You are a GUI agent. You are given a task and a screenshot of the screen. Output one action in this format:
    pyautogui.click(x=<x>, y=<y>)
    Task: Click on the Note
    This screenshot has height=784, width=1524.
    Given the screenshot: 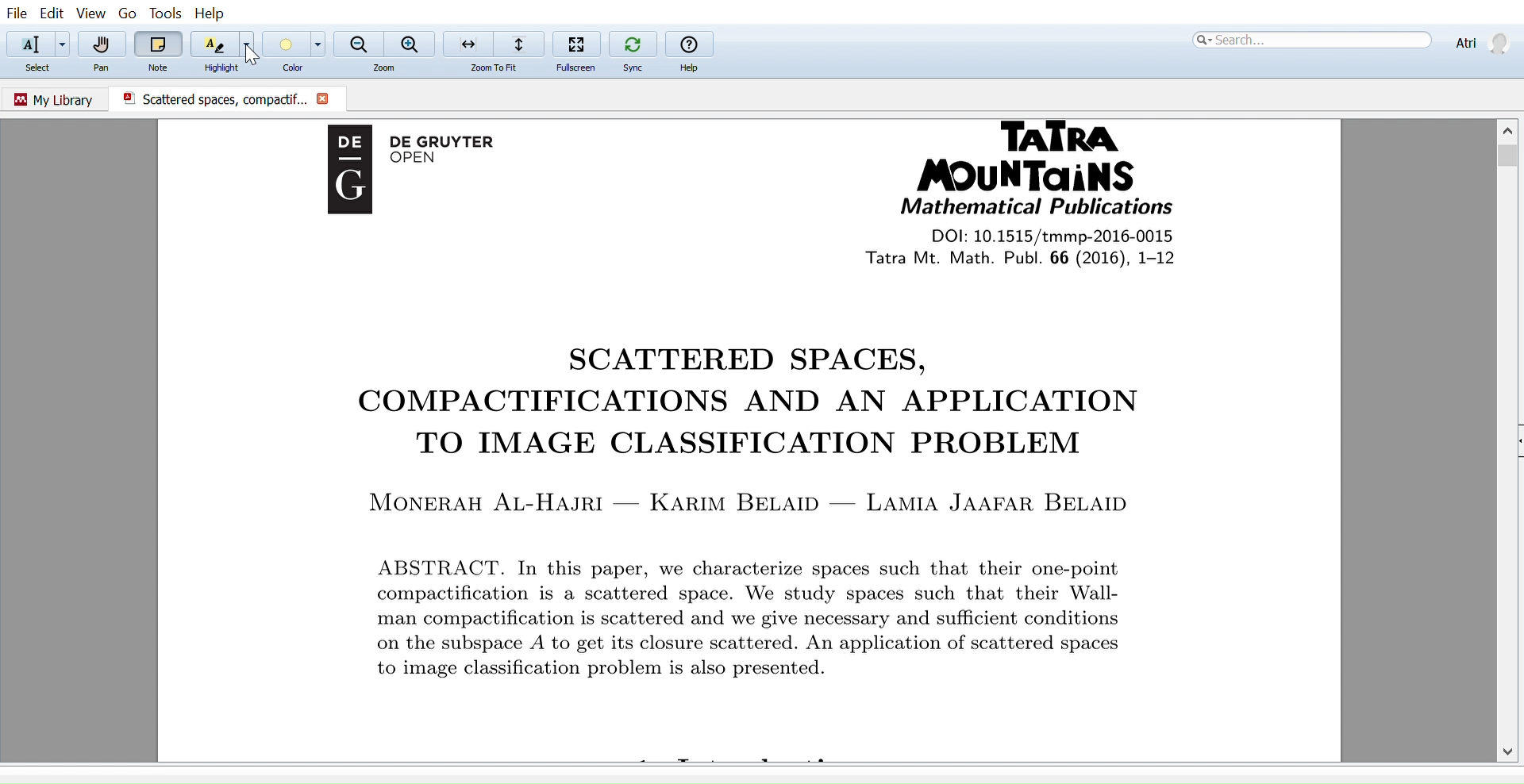 What is the action you would take?
    pyautogui.click(x=161, y=66)
    